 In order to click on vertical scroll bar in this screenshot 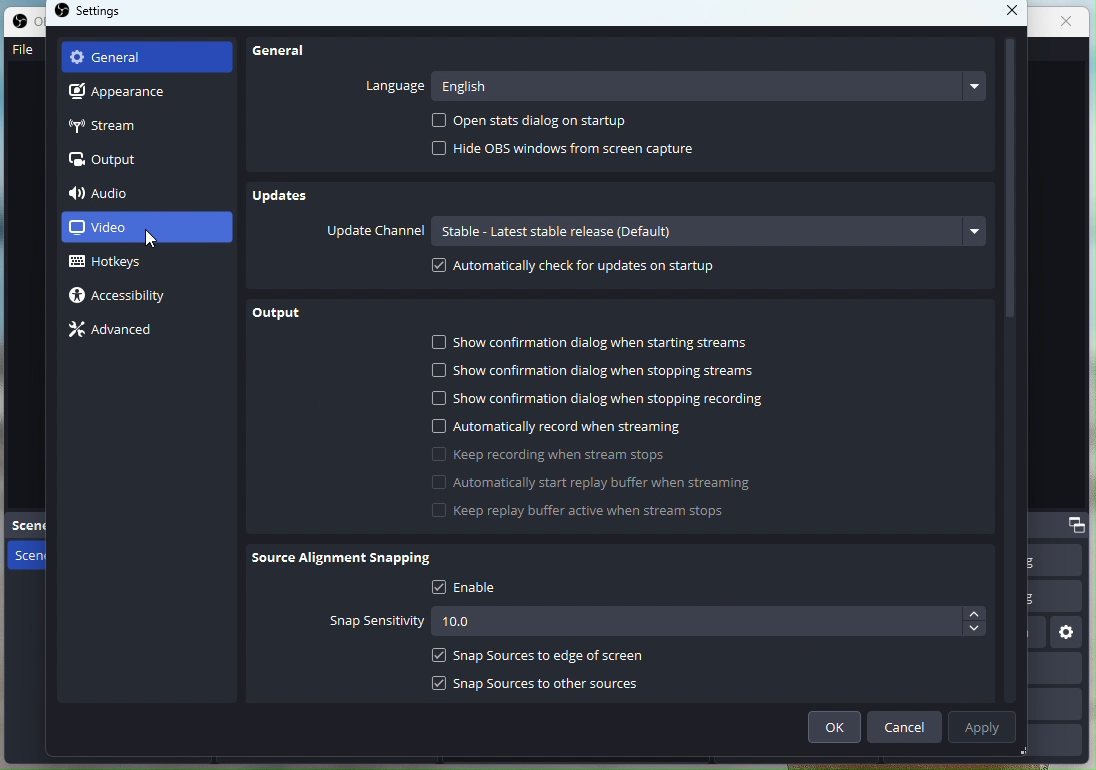, I will do `click(1012, 188)`.